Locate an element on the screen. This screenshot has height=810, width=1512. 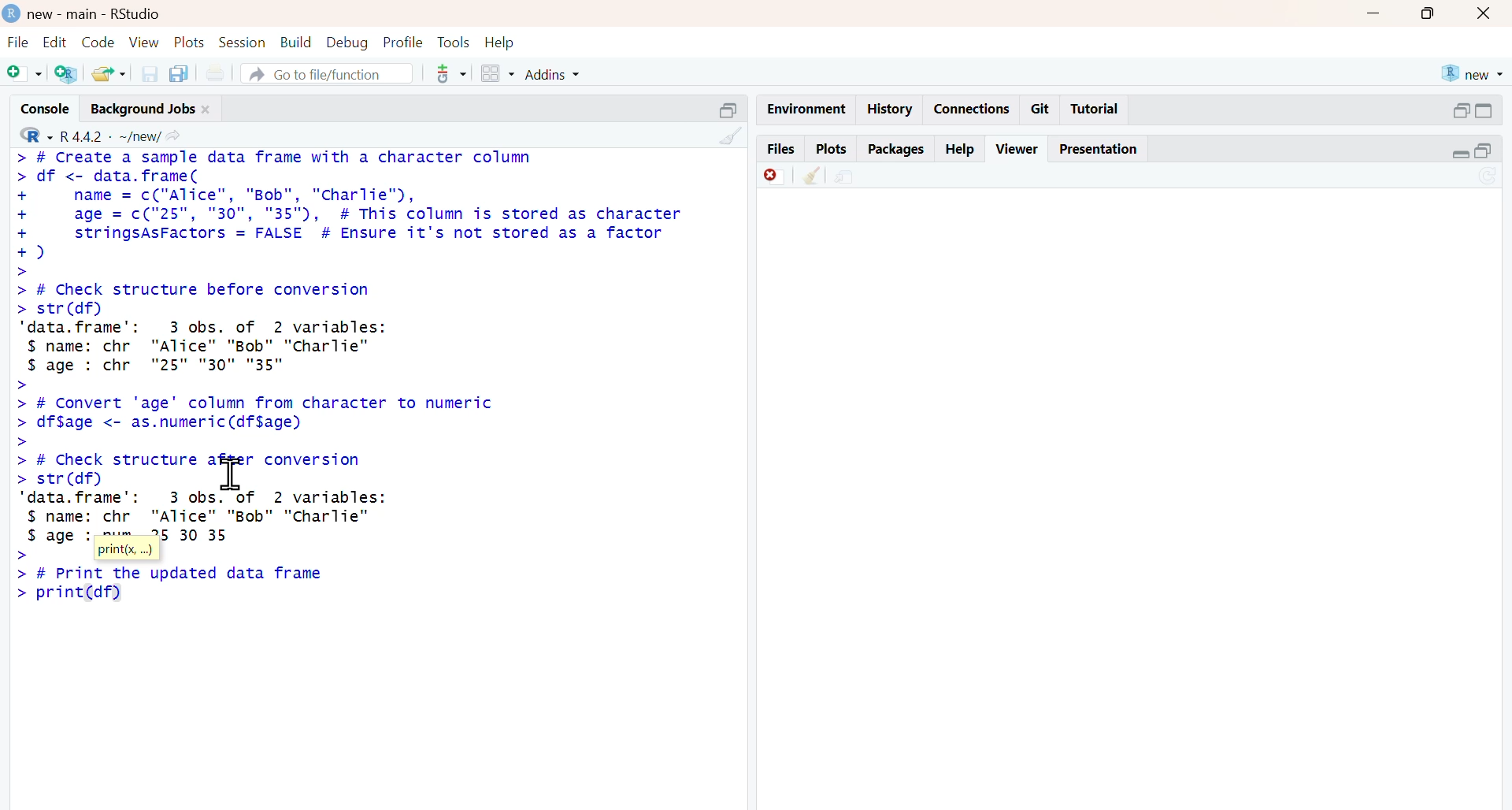
open in separate window is located at coordinates (1460, 110).